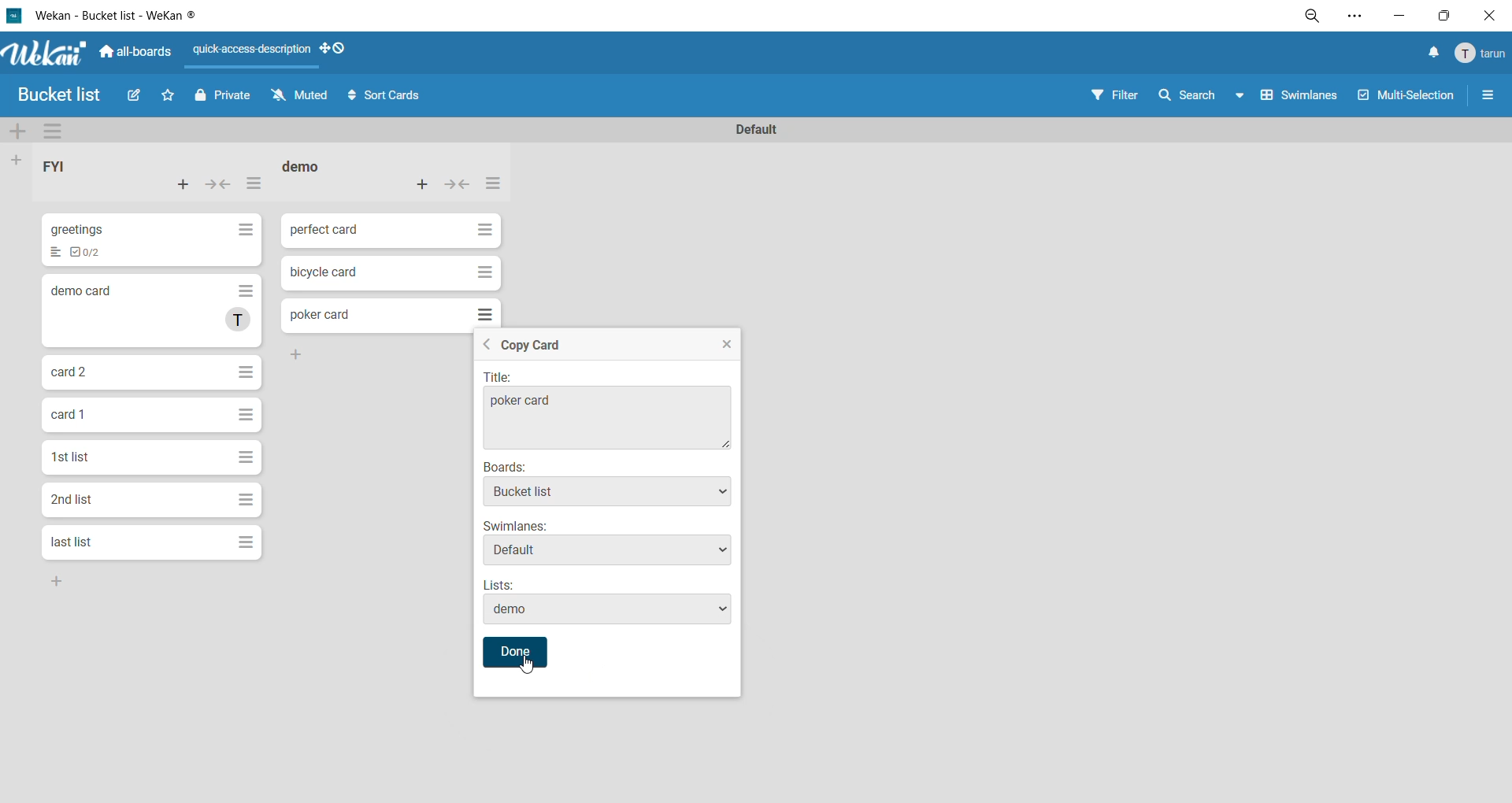 This screenshot has height=803, width=1512. What do you see at coordinates (297, 353) in the screenshot?
I see `Add Button` at bounding box center [297, 353].